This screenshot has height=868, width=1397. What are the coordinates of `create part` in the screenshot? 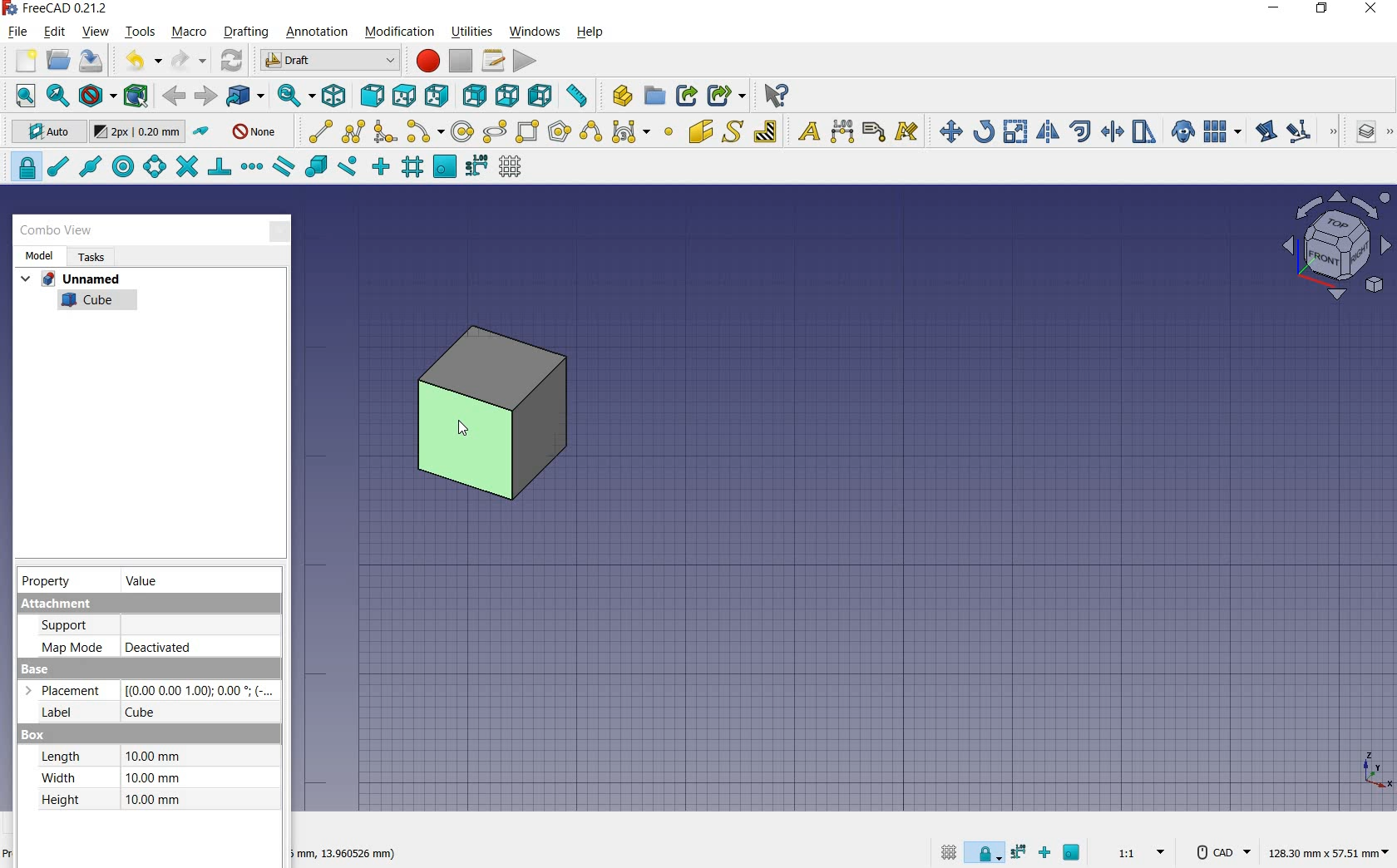 It's located at (618, 95).